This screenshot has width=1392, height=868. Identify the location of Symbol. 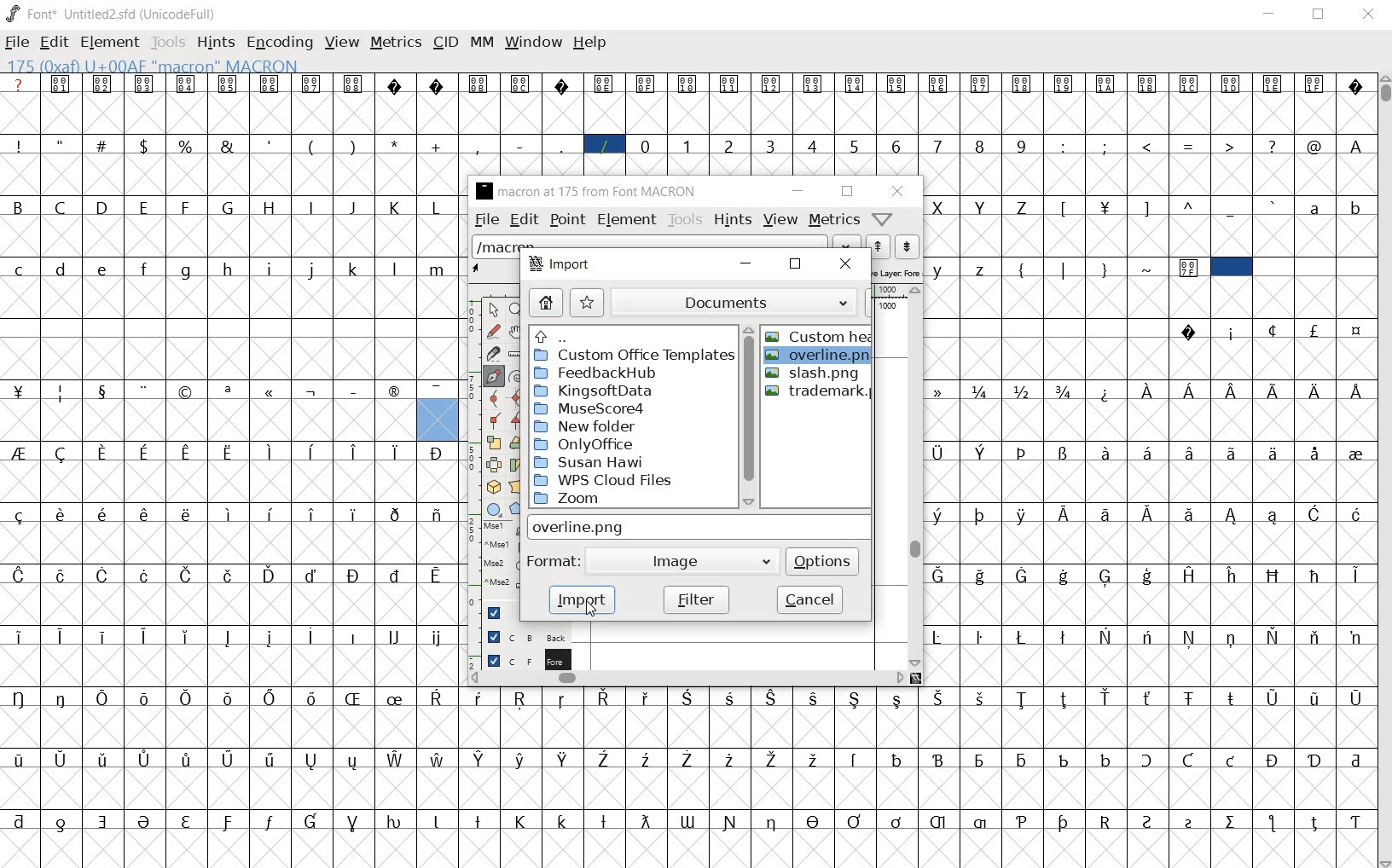
(1189, 821).